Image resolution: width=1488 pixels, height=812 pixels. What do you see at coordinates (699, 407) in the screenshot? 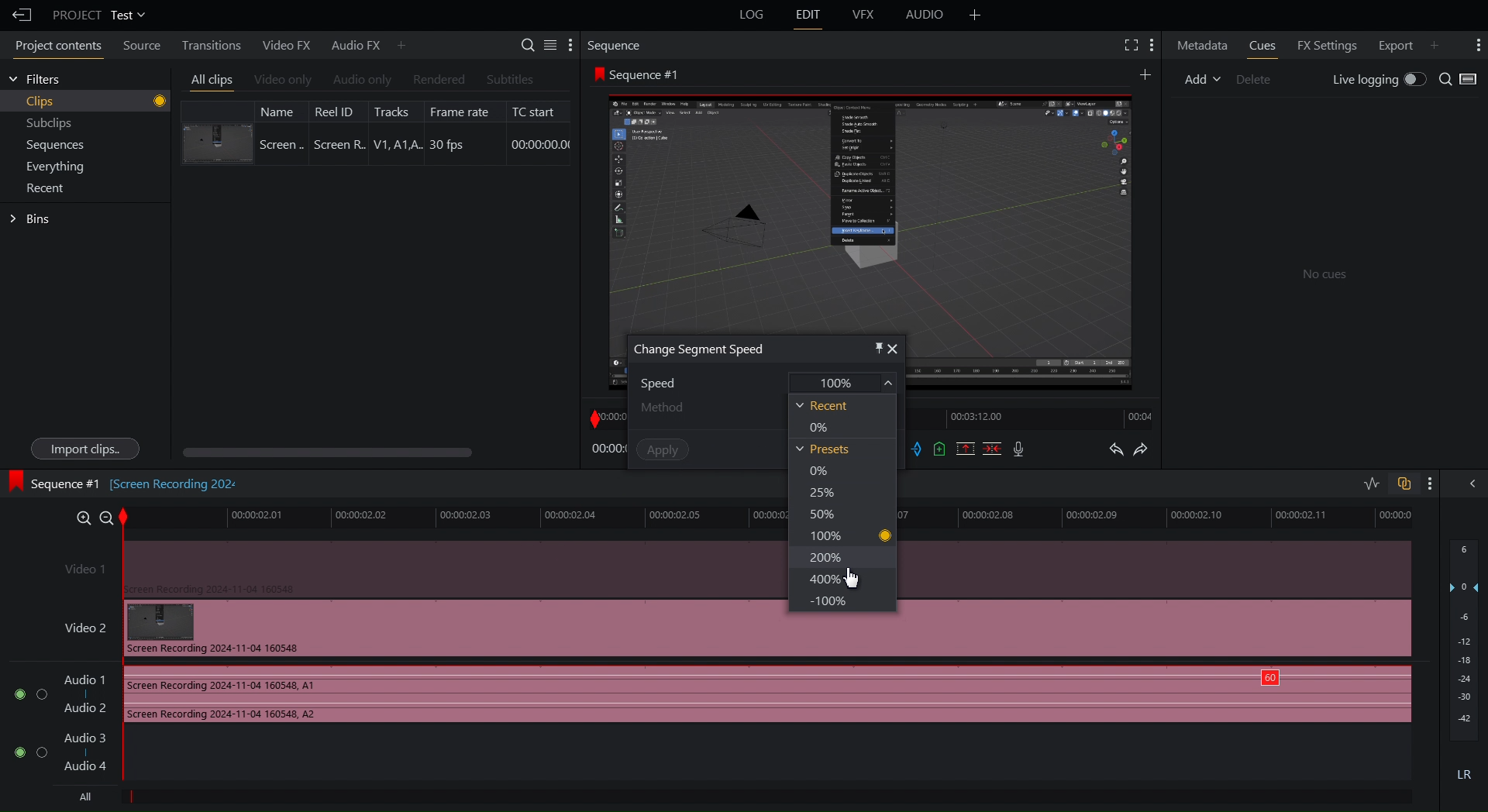
I see `Method` at bounding box center [699, 407].